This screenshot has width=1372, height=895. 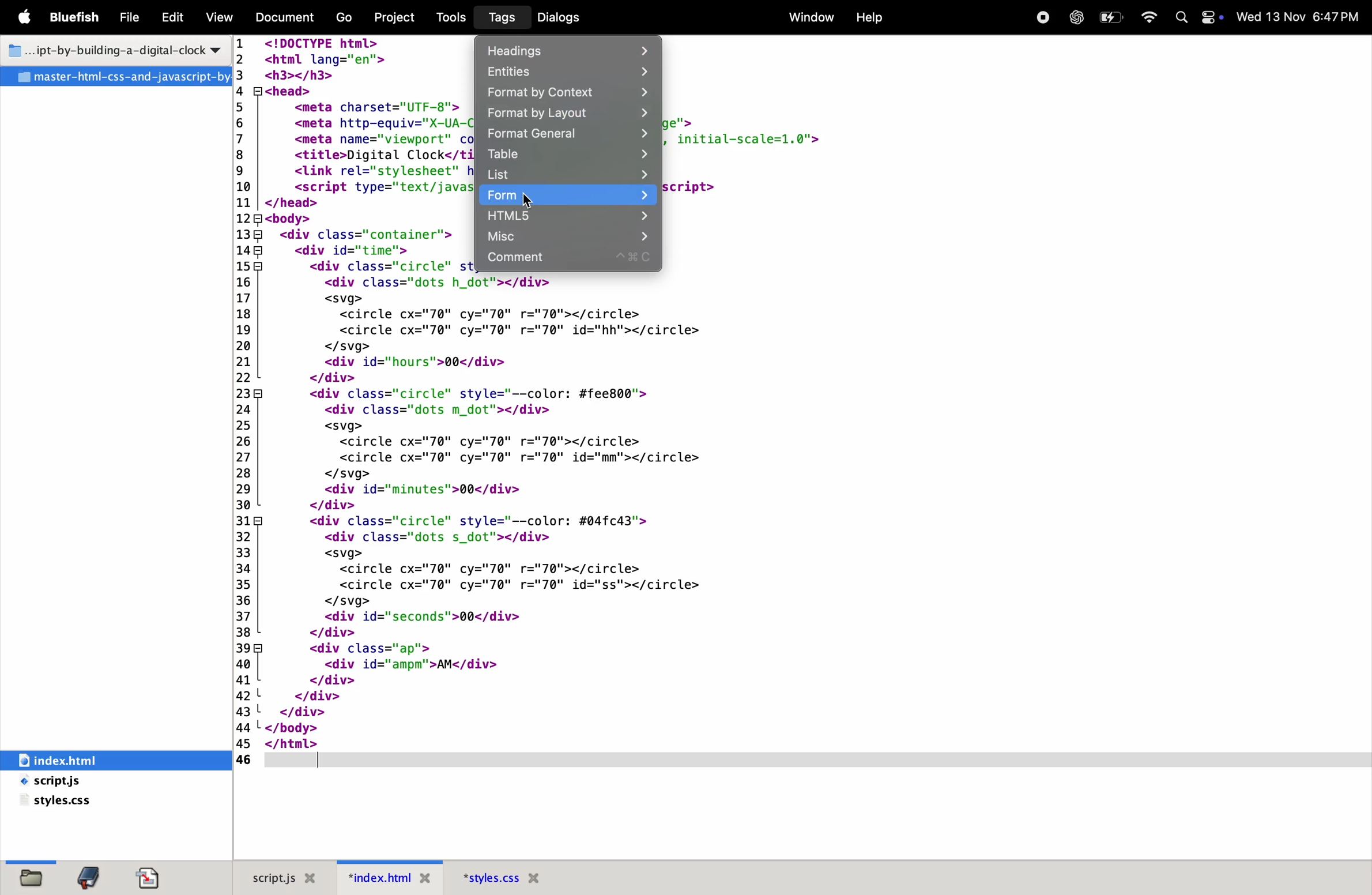 I want to click on table, so click(x=566, y=155).